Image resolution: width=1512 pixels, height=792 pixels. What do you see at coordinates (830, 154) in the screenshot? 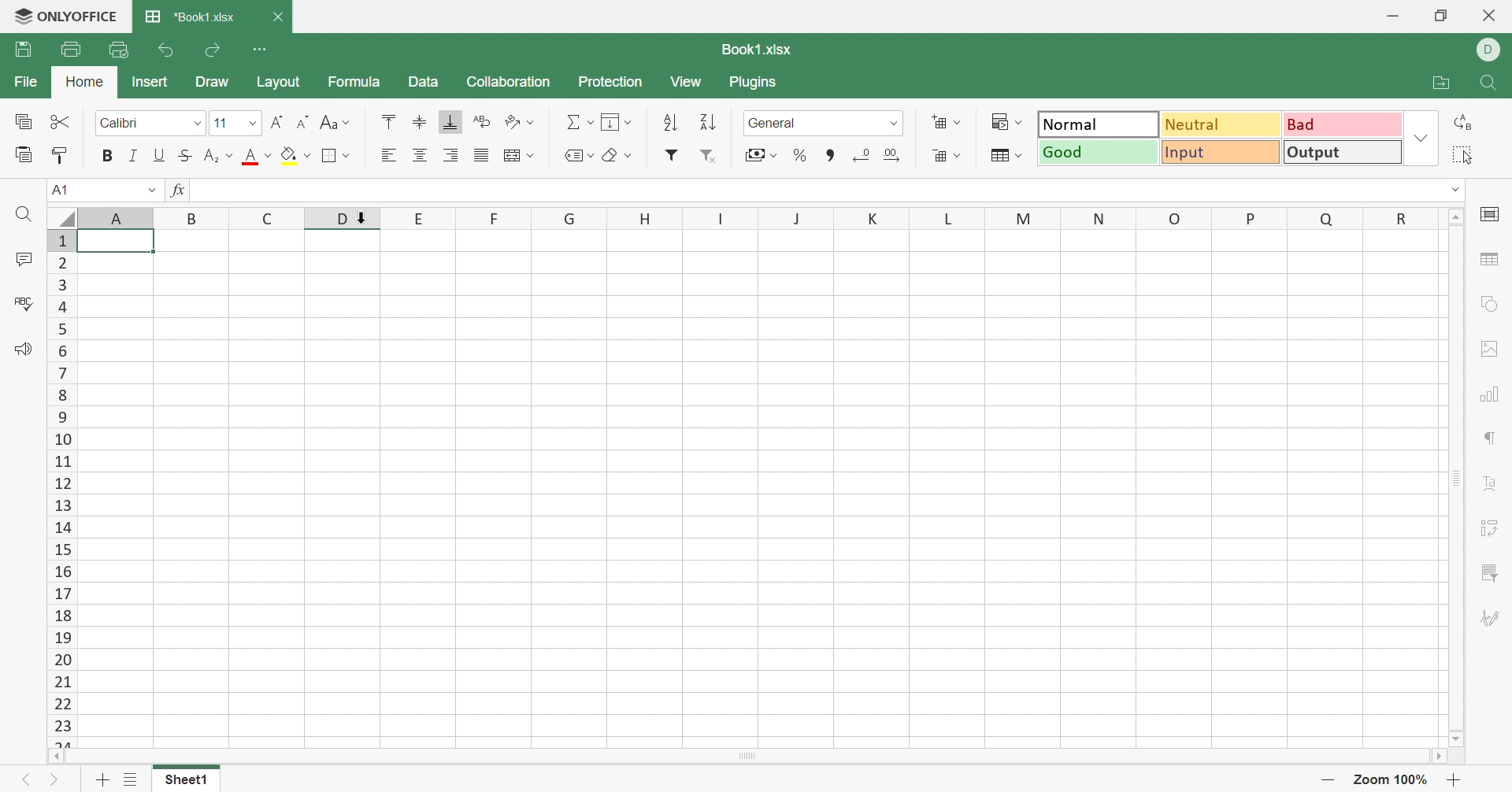
I see `Comma style` at bounding box center [830, 154].